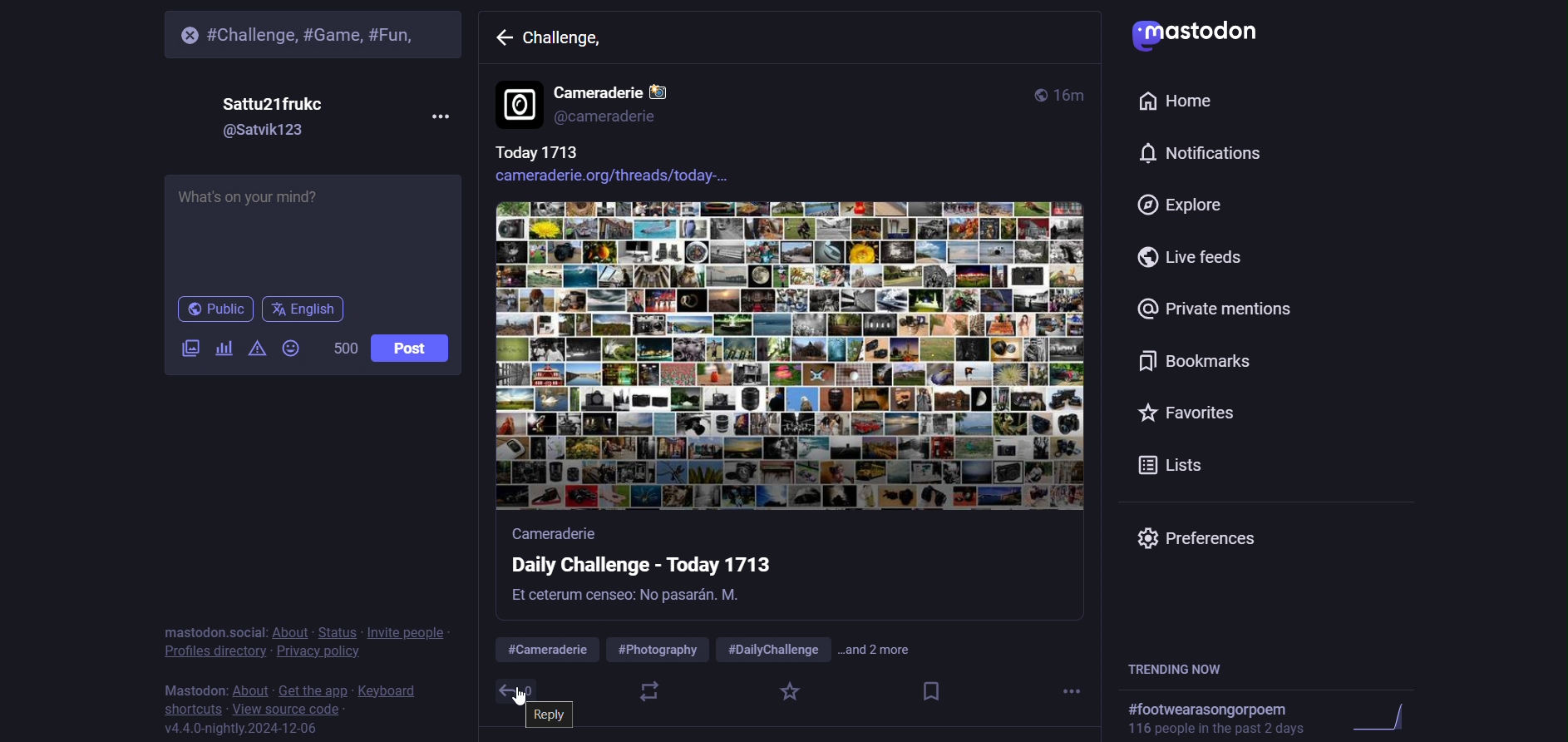 This screenshot has height=742, width=1568. I want to click on @satvik123, so click(278, 131).